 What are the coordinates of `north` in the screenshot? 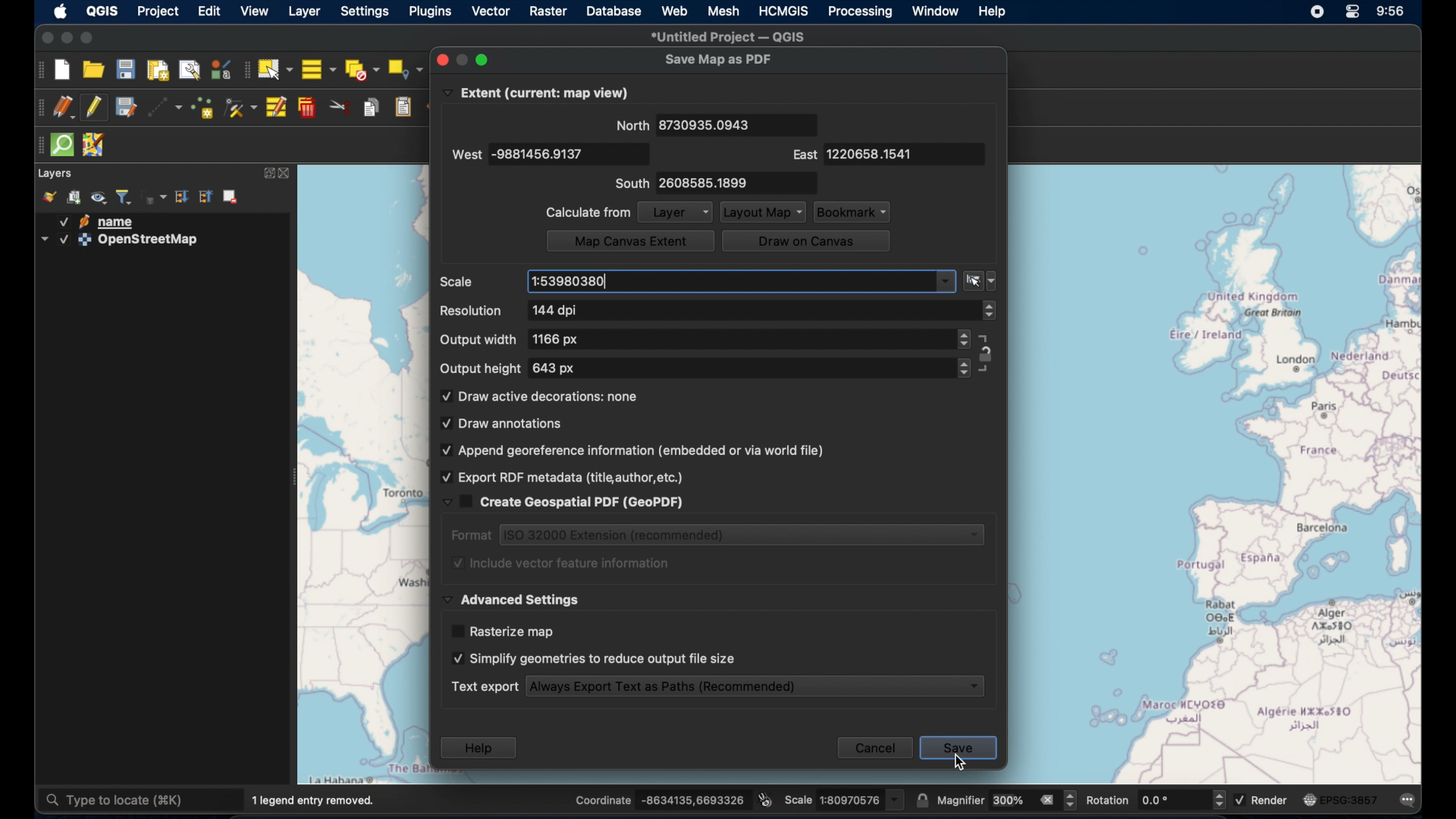 It's located at (632, 125).